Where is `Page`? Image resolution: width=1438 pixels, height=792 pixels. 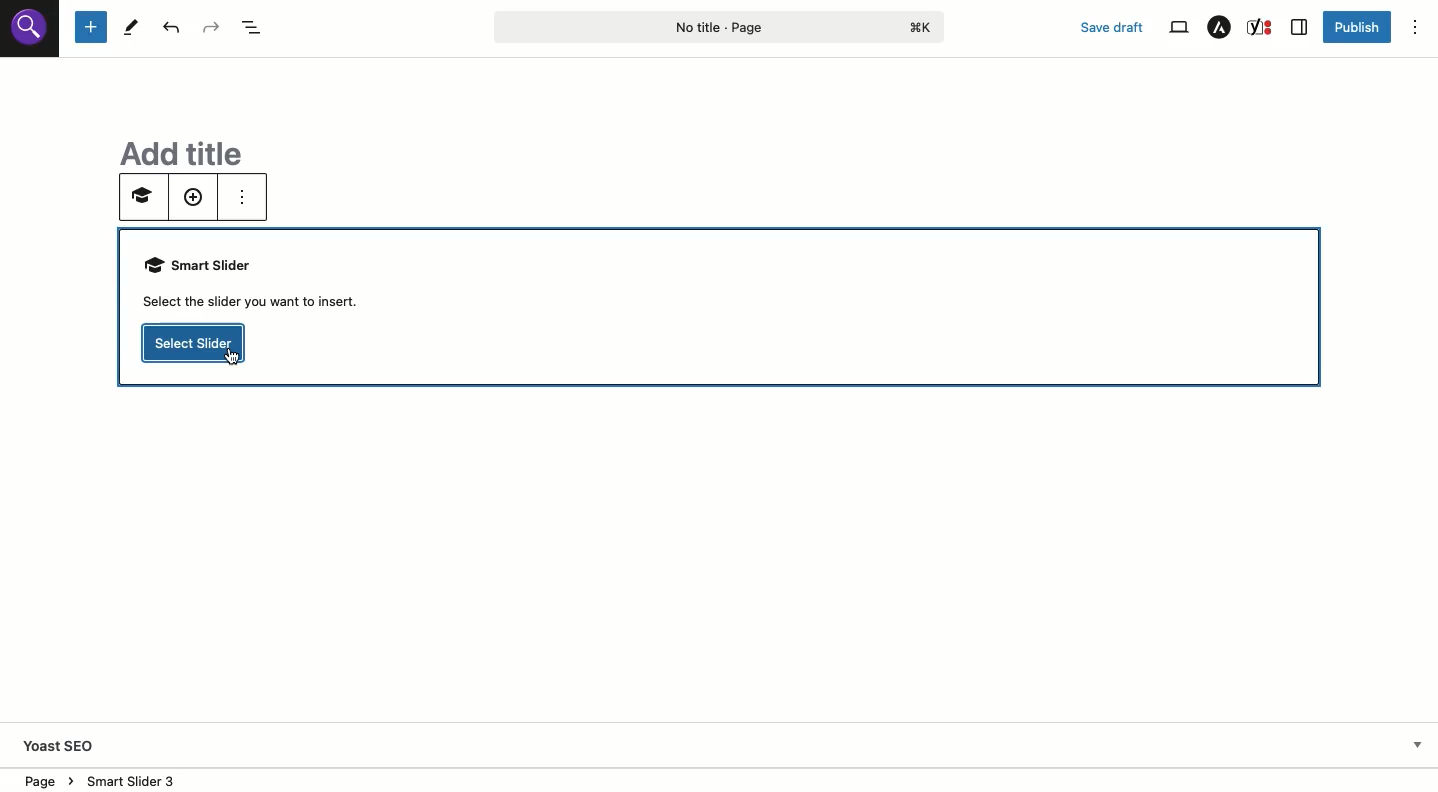
Page is located at coordinates (720, 26).